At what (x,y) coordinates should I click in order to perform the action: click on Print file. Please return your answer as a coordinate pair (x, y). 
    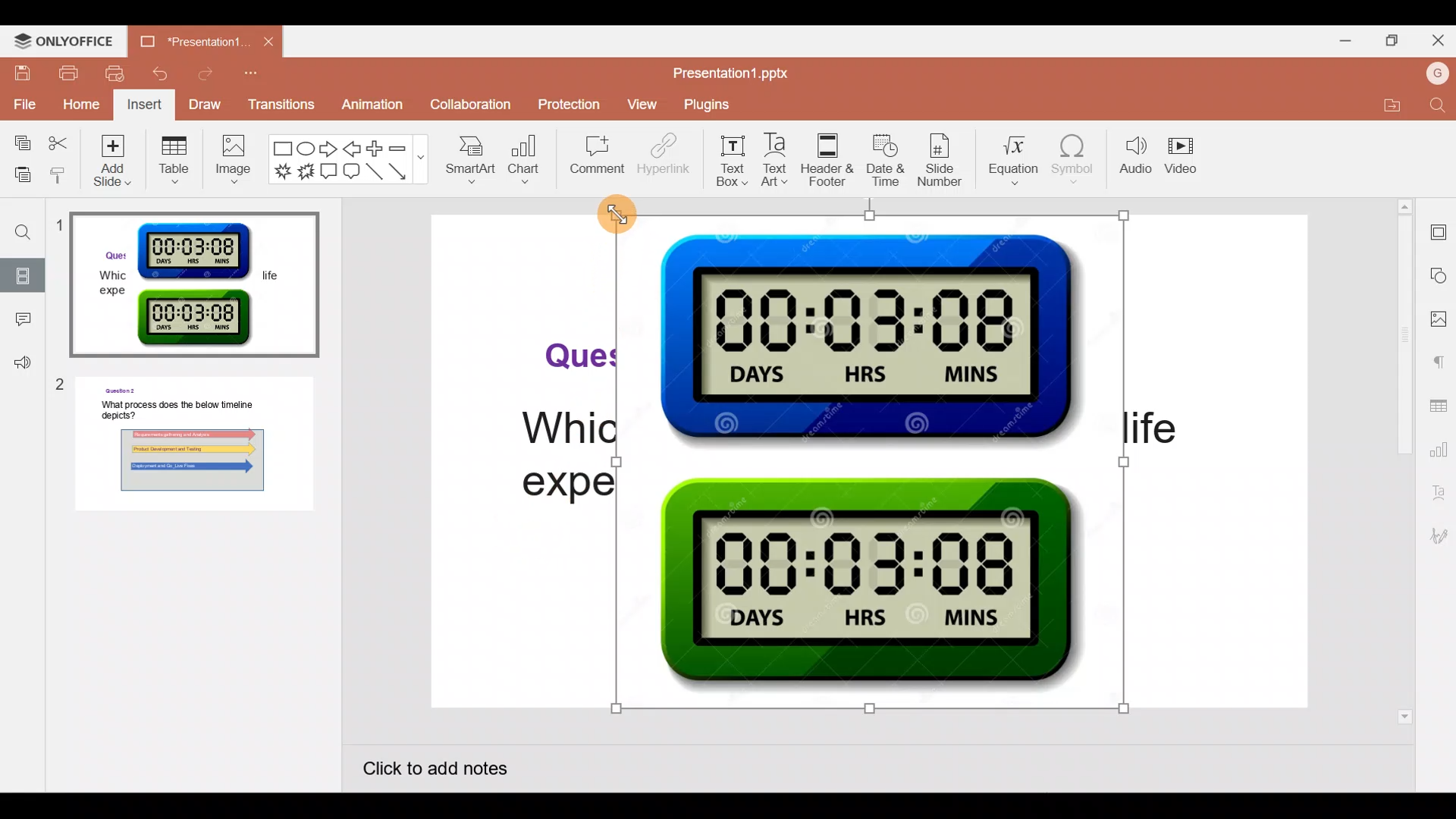
    Looking at the image, I should click on (71, 75).